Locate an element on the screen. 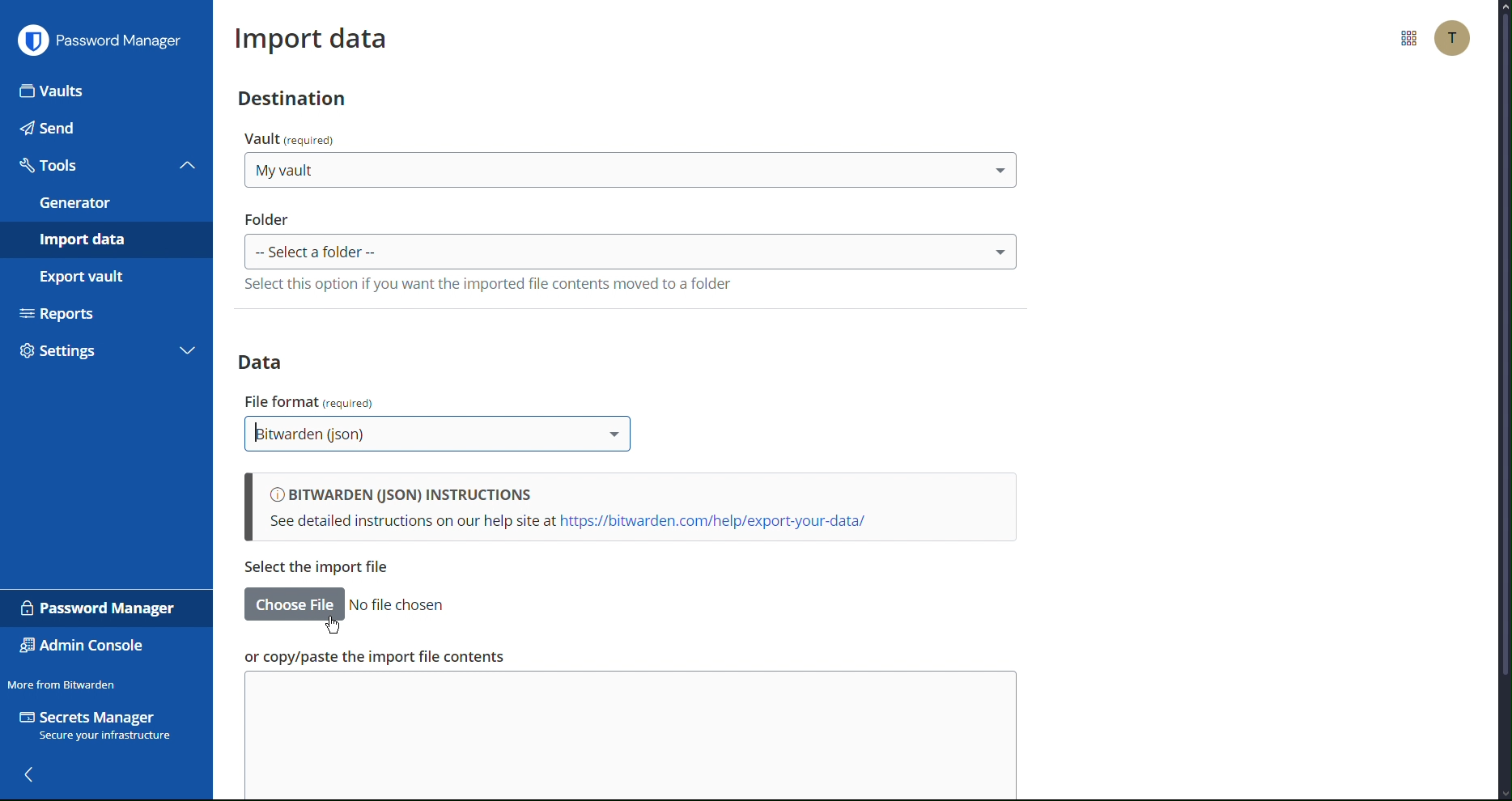 This screenshot has width=1512, height=801. back is located at coordinates (28, 777).